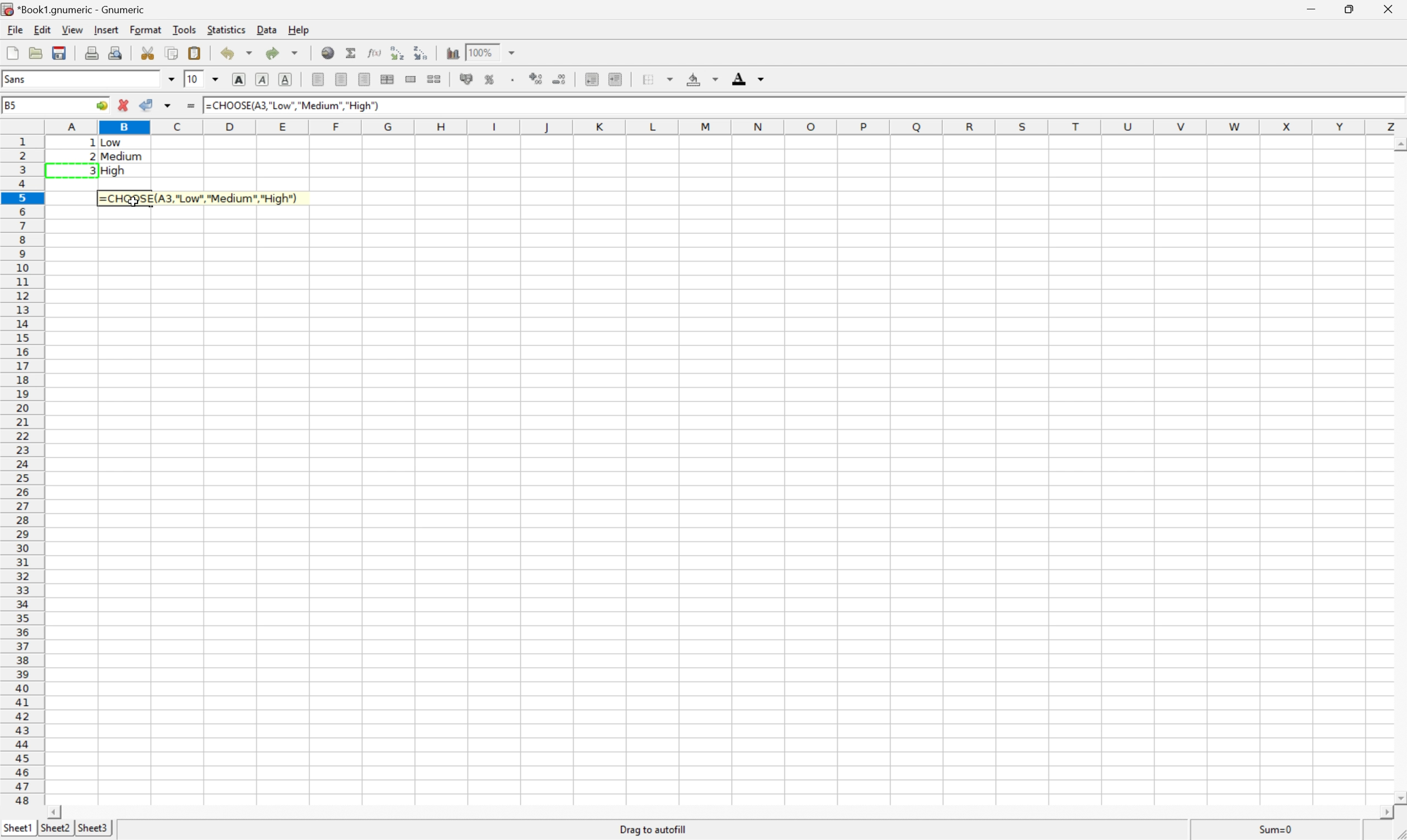  I want to click on View, so click(70, 28).